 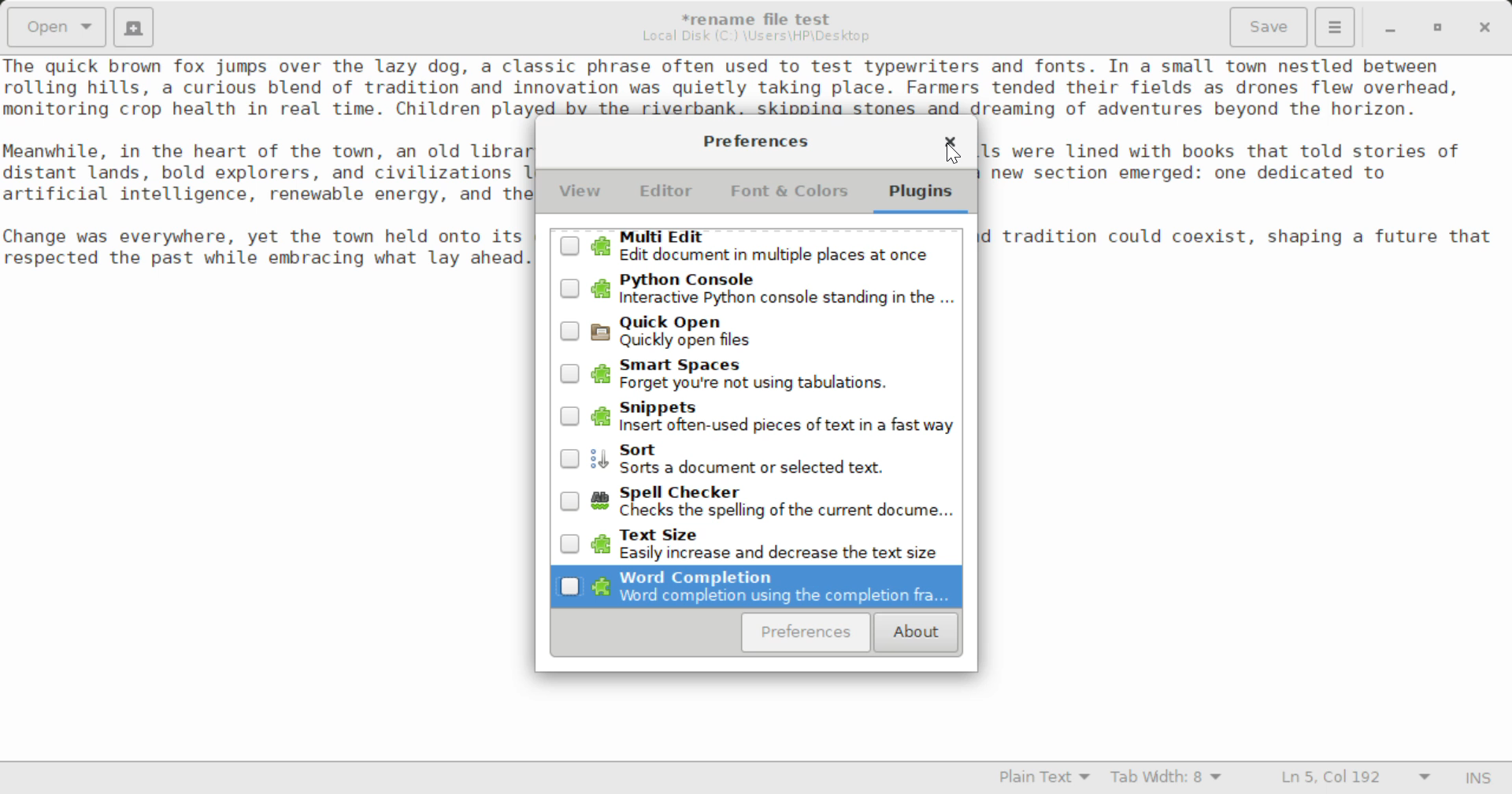 What do you see at coordinates (57, 25) in the screenshot?
I see `Open Document` at bounding box center [57, 25].